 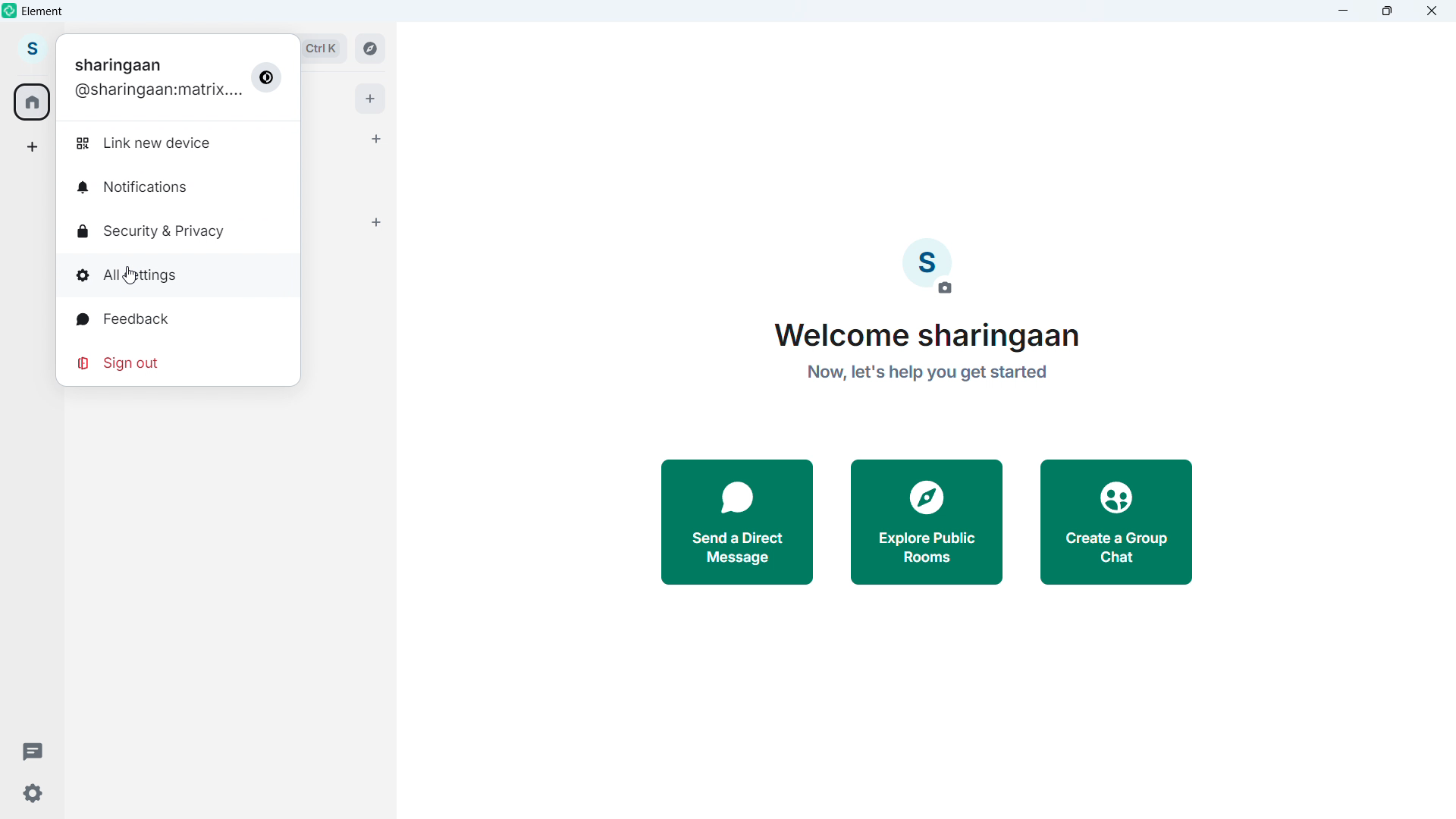 I want to click on All settings , so click(x=127, y=274).